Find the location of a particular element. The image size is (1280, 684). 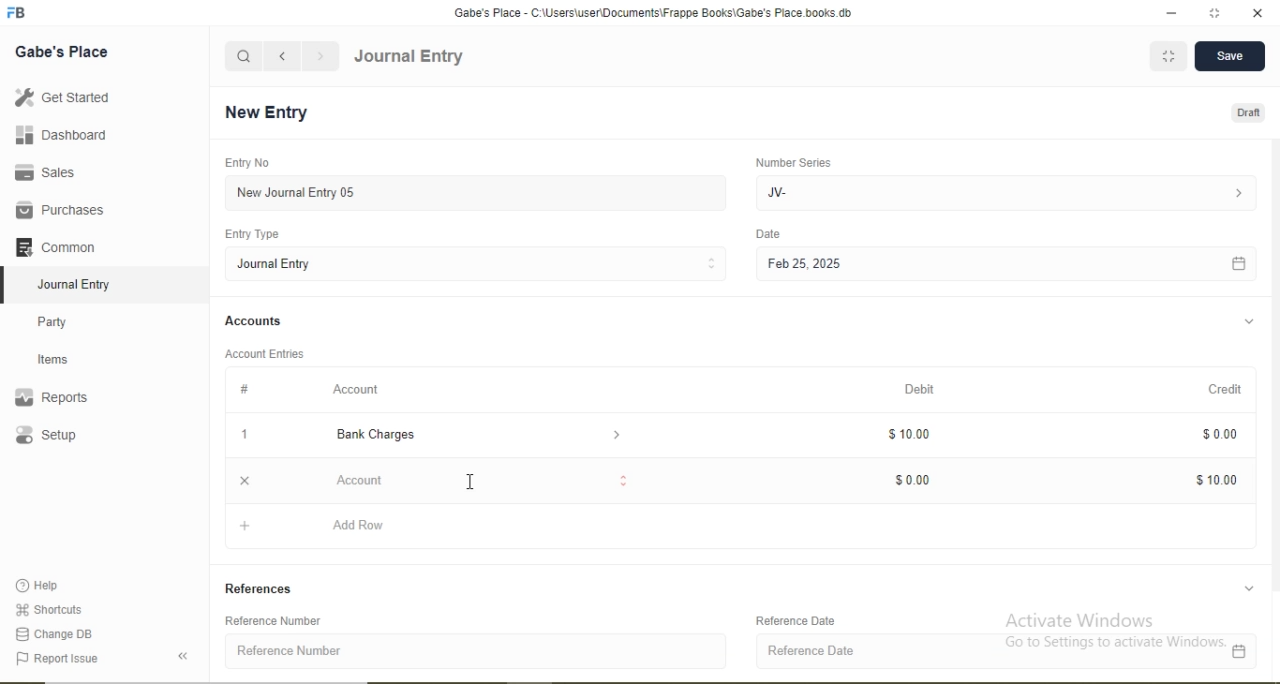

New Journal Entry 05 is located at coordinates (478, 192).